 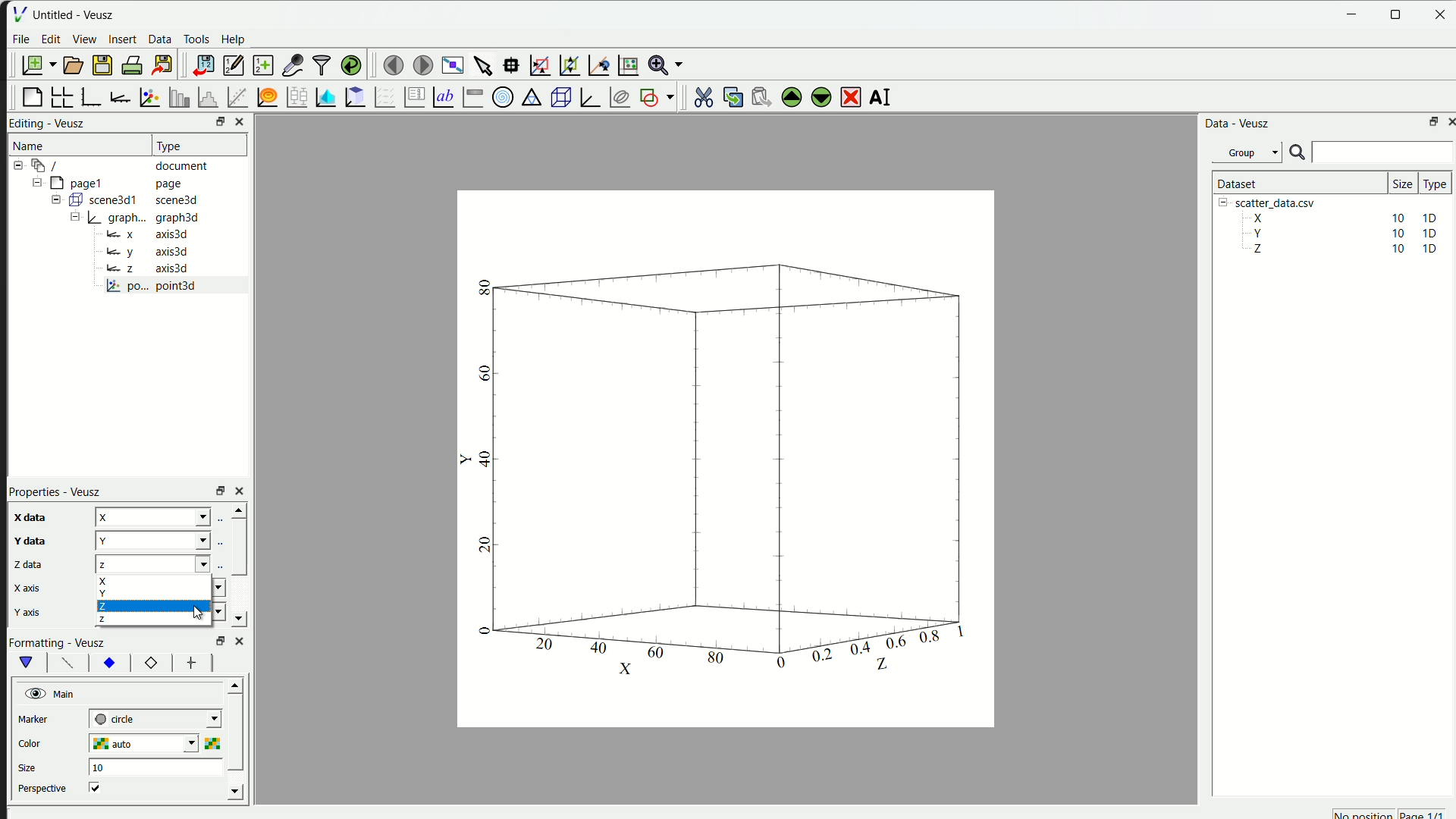 What do you see at coordinates (171, 145) in the screenshot?
I see `| Type` at bounding box center [171, 145].